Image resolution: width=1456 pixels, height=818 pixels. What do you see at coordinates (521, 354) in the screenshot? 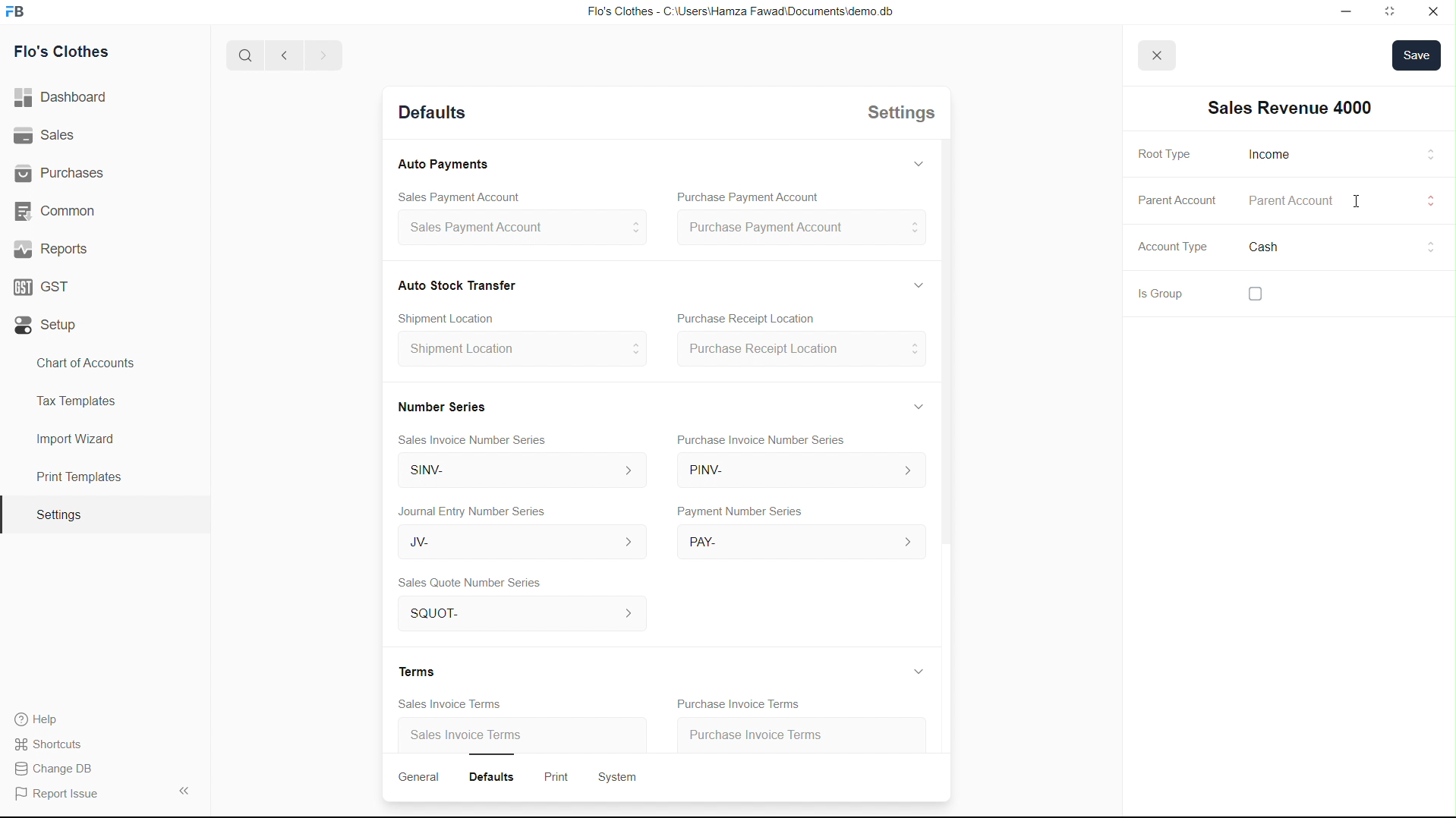
I see `Shipment Location` at bounding box center [521, 354].